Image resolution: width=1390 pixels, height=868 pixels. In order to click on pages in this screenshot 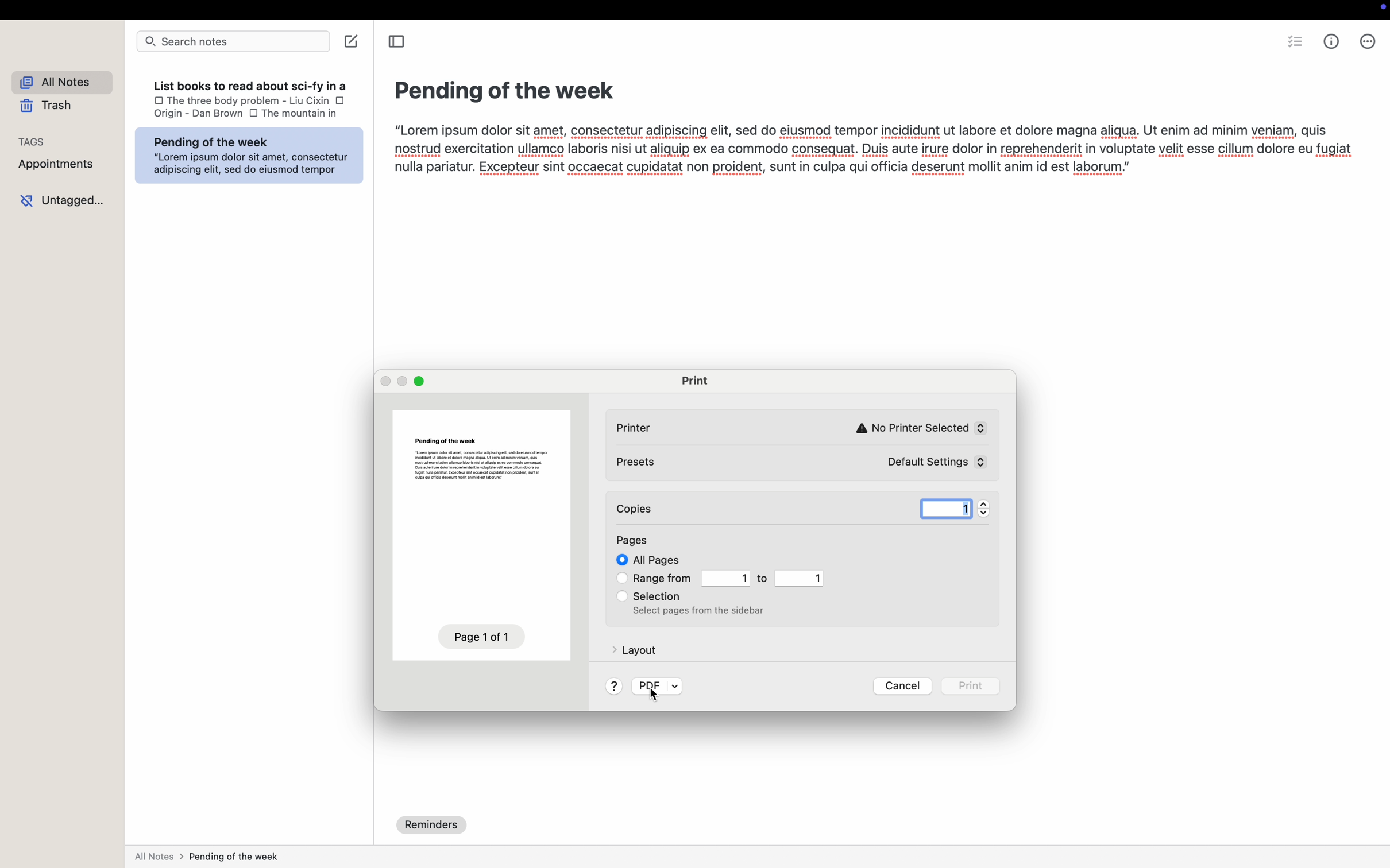, I will do `click(635, 538)`.